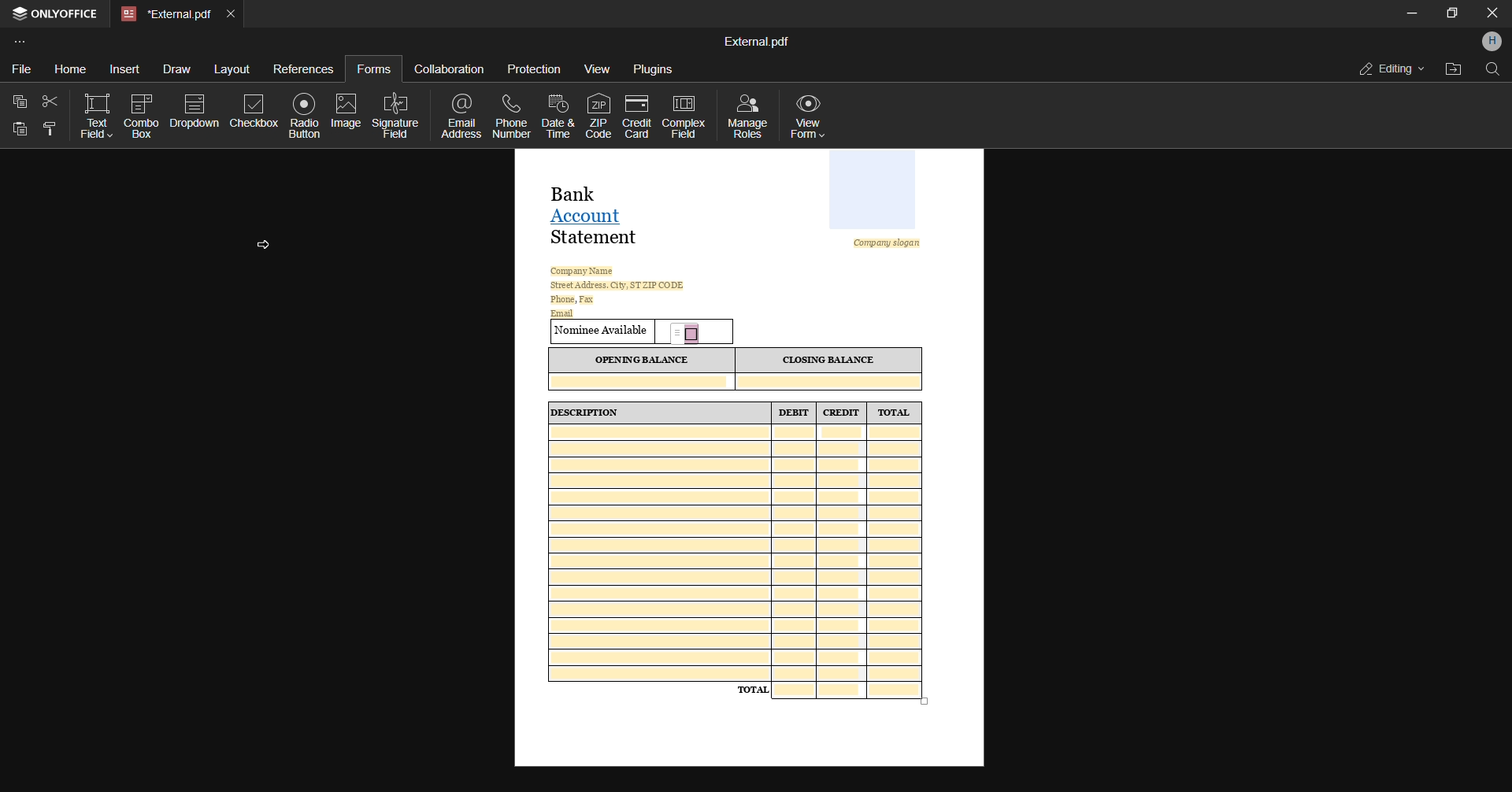  I want to click on email address, so click(465, 117).